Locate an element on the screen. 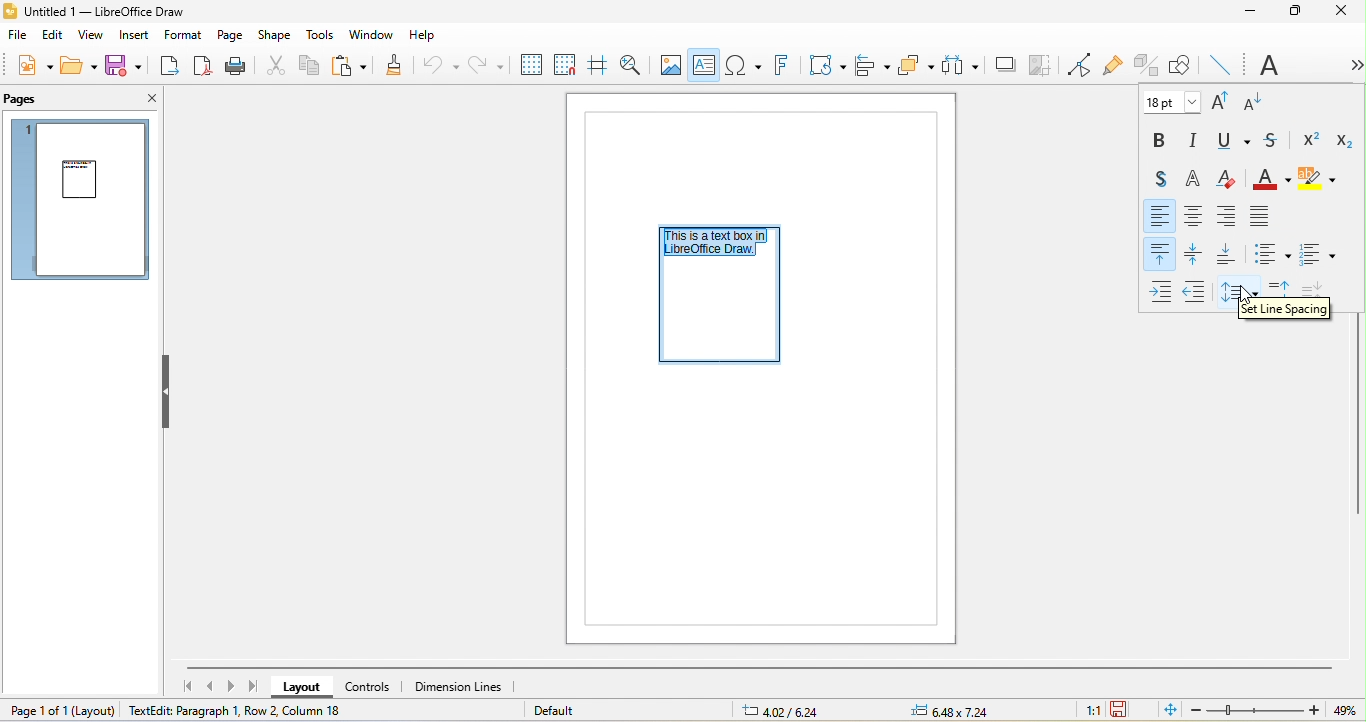 This screenshot has height=722, width=1366. align bottom is located at coordinates (1229, 254).